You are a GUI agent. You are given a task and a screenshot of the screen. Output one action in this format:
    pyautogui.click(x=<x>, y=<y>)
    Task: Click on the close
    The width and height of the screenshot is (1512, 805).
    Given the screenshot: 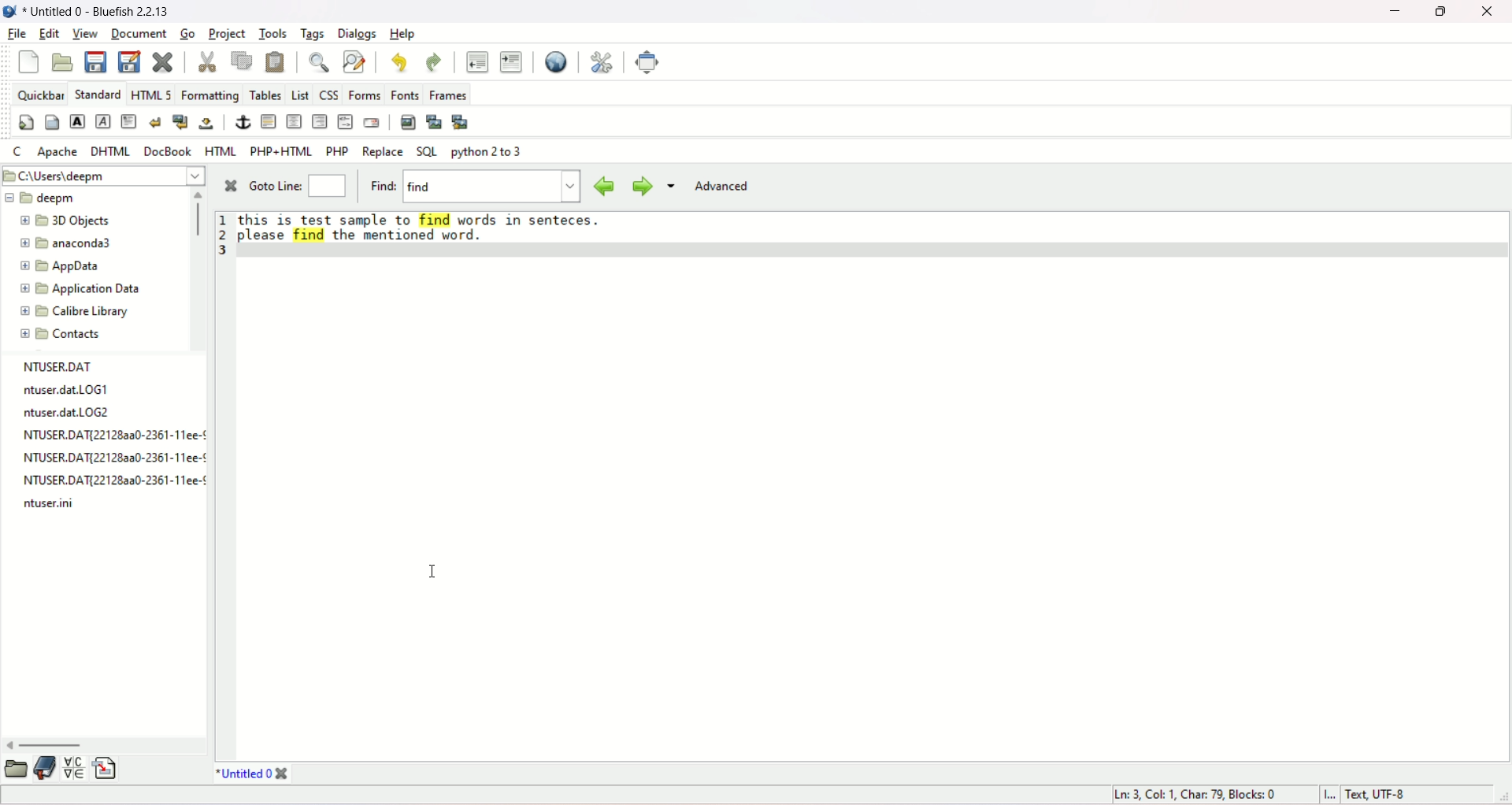 What is the action you would take?
    pyautogui.click(x=230, y=185)
    